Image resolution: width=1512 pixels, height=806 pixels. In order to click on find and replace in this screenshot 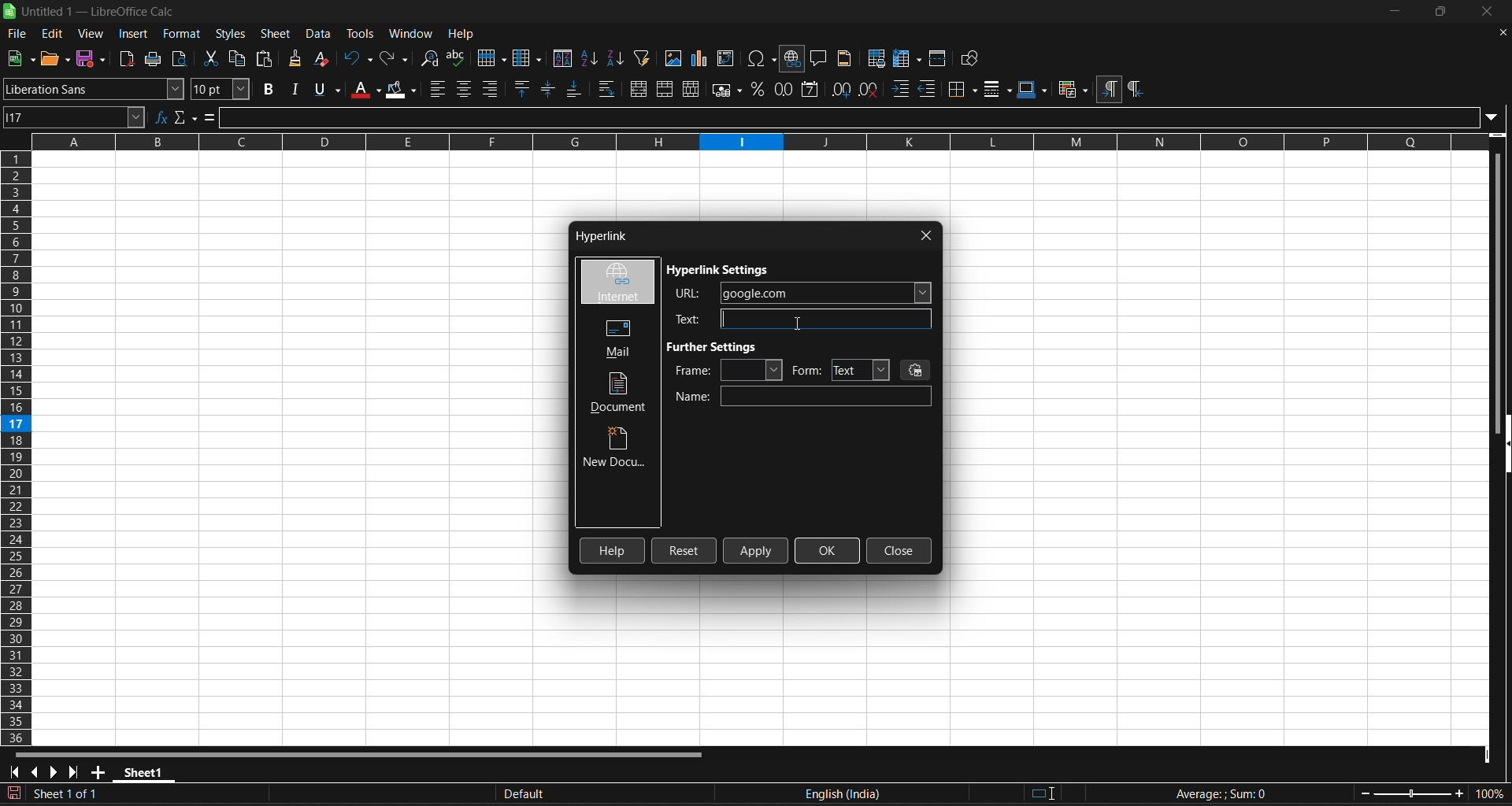, I will do `click(431, 59)`.